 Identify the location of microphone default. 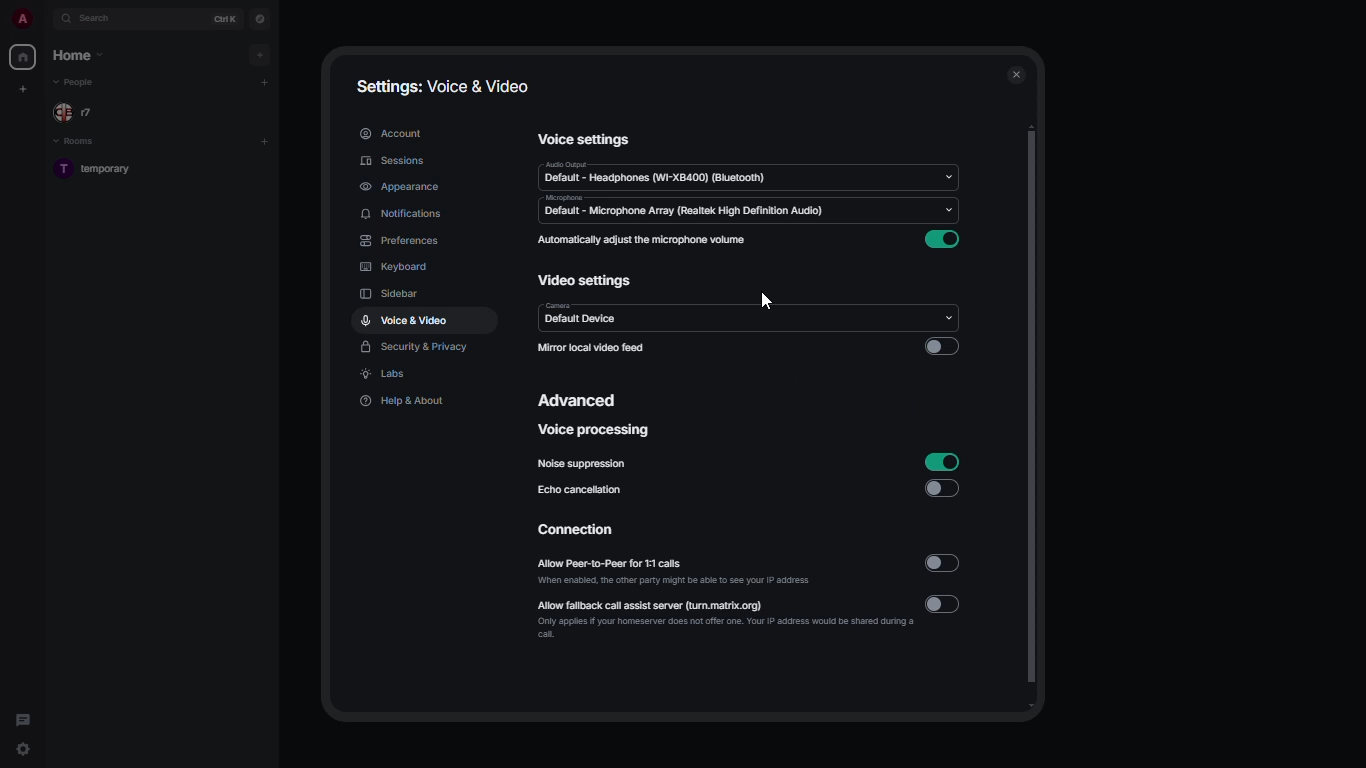
(684, 206).